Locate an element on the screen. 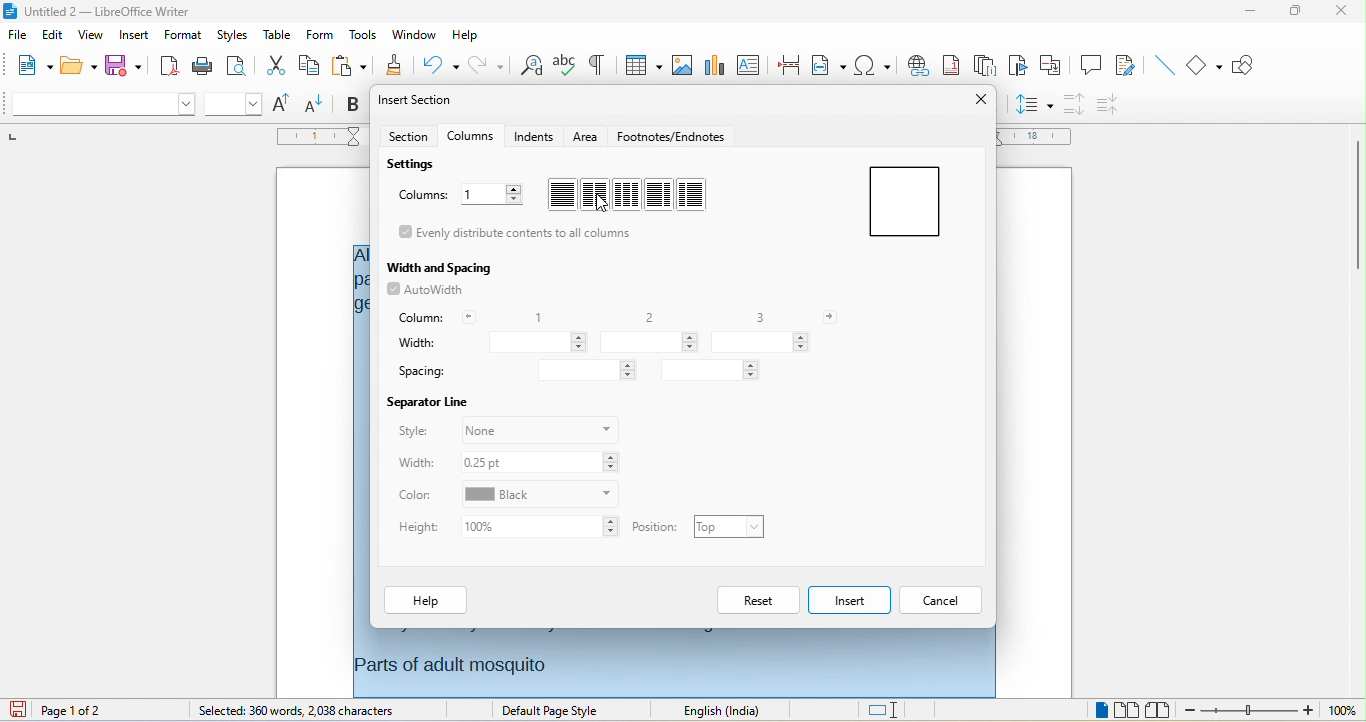 The image size is (1366, 722). bold is located at coordinates (353, 103).